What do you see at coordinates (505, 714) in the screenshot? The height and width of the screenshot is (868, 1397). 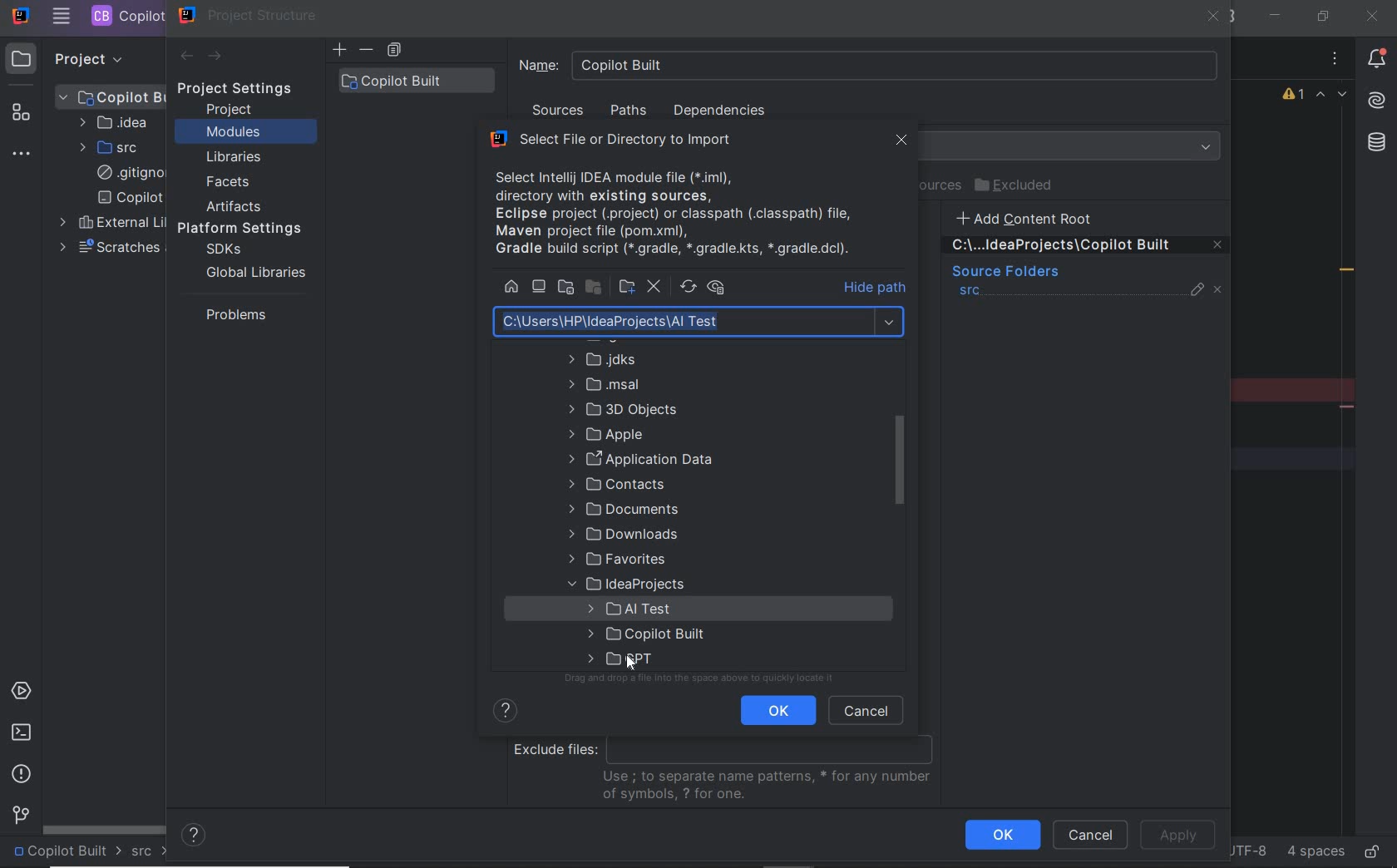 I see `show help contents` at bounding box center [505, 714].